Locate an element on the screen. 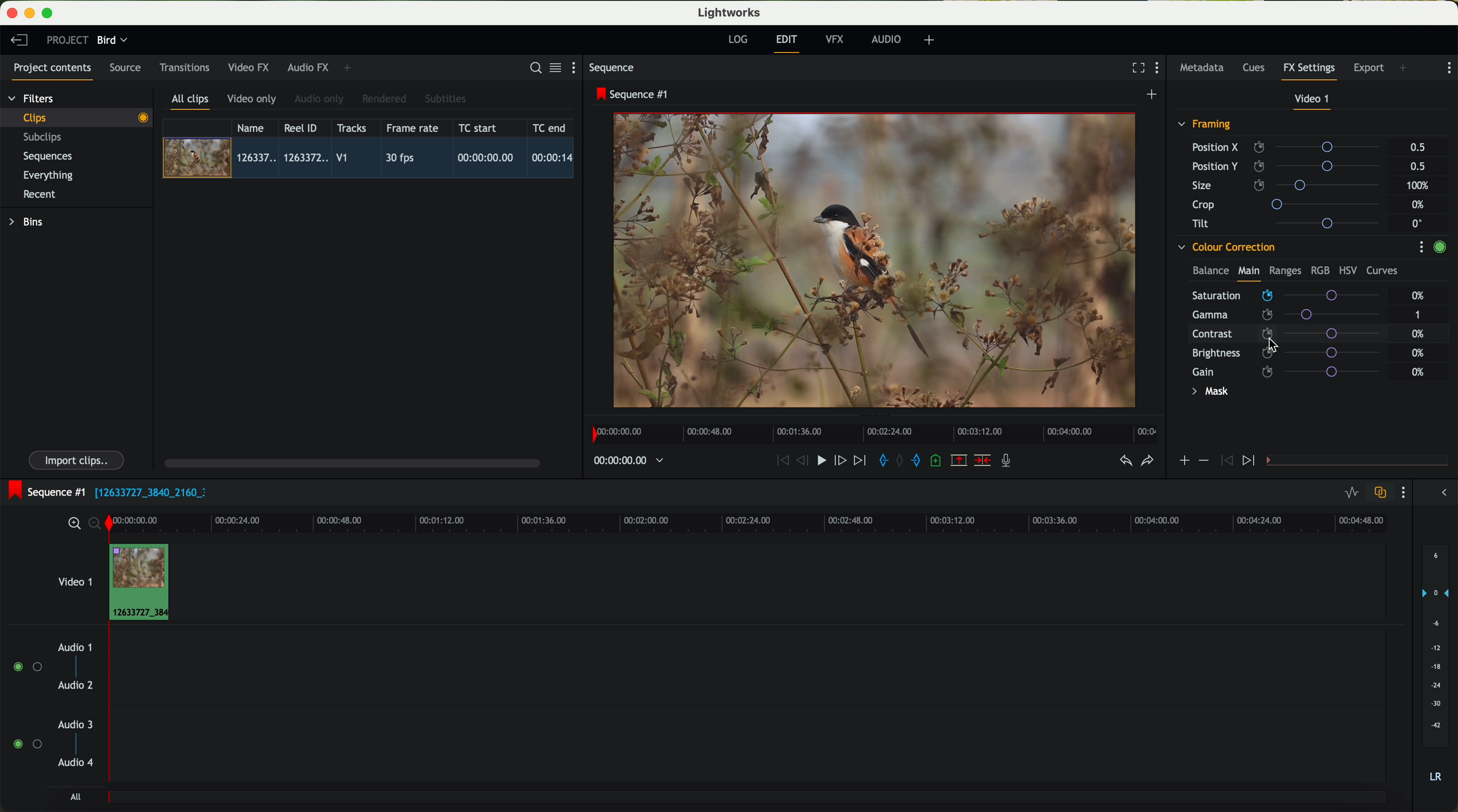  nudge one frame foward is located at coordinates (842, 461).